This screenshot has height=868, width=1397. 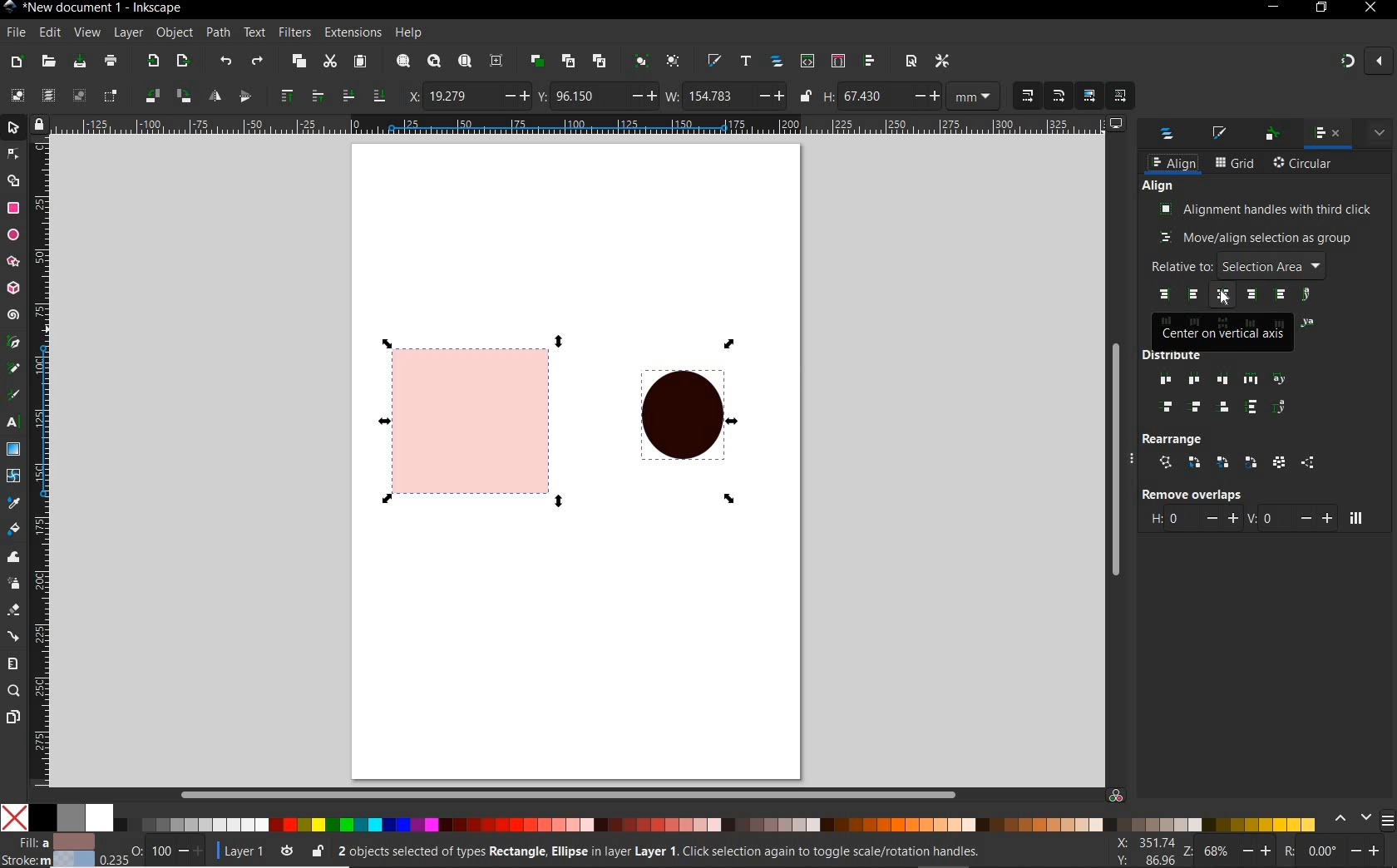 I want to click on EXCHANGE AROUND CENTER, so click(x=1251, y=462).